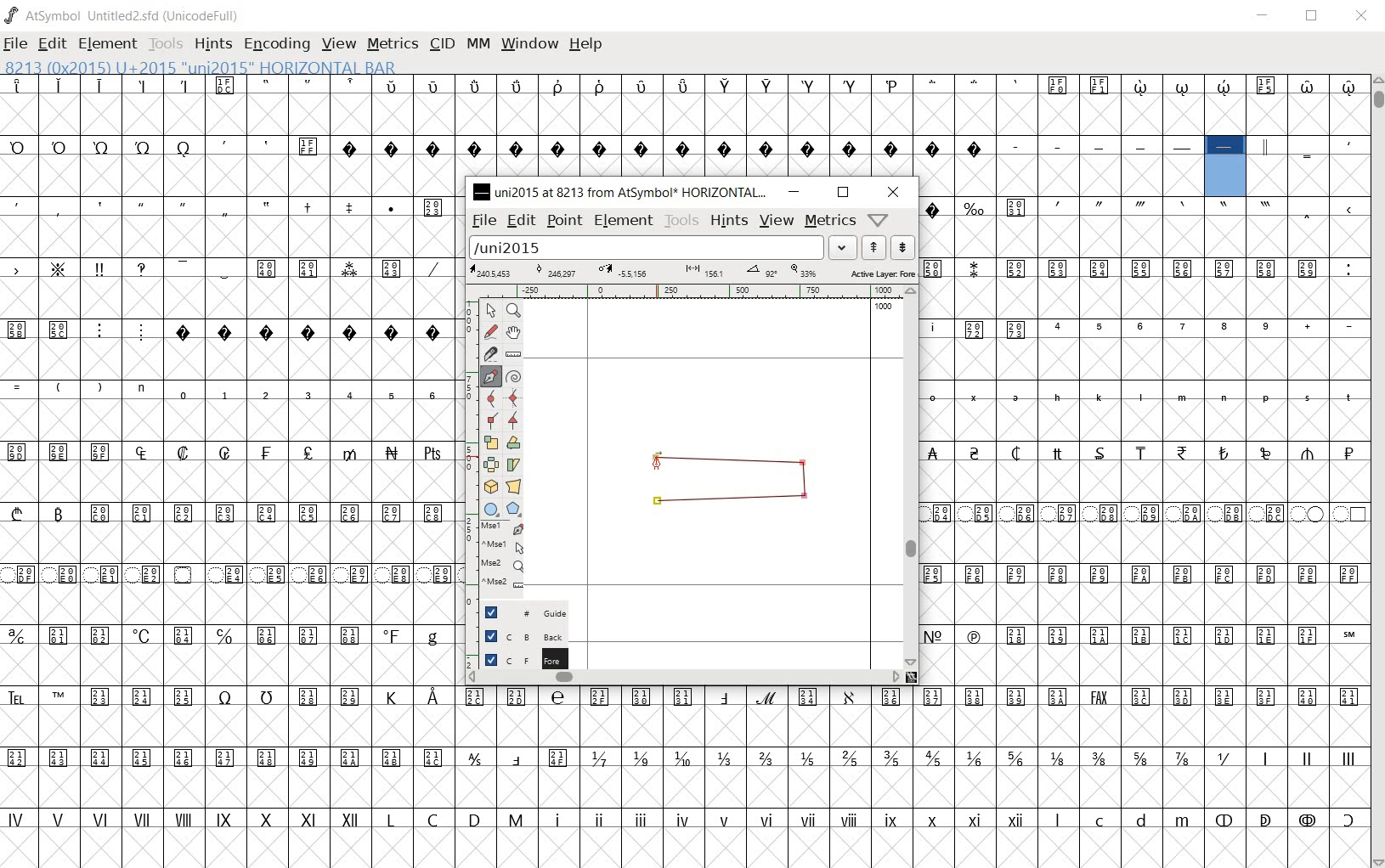 The width and height of the screenshot is (1385, 868). Describe the element at coordinates (661, 248) in the screenshot. I see `load word list` at that location.